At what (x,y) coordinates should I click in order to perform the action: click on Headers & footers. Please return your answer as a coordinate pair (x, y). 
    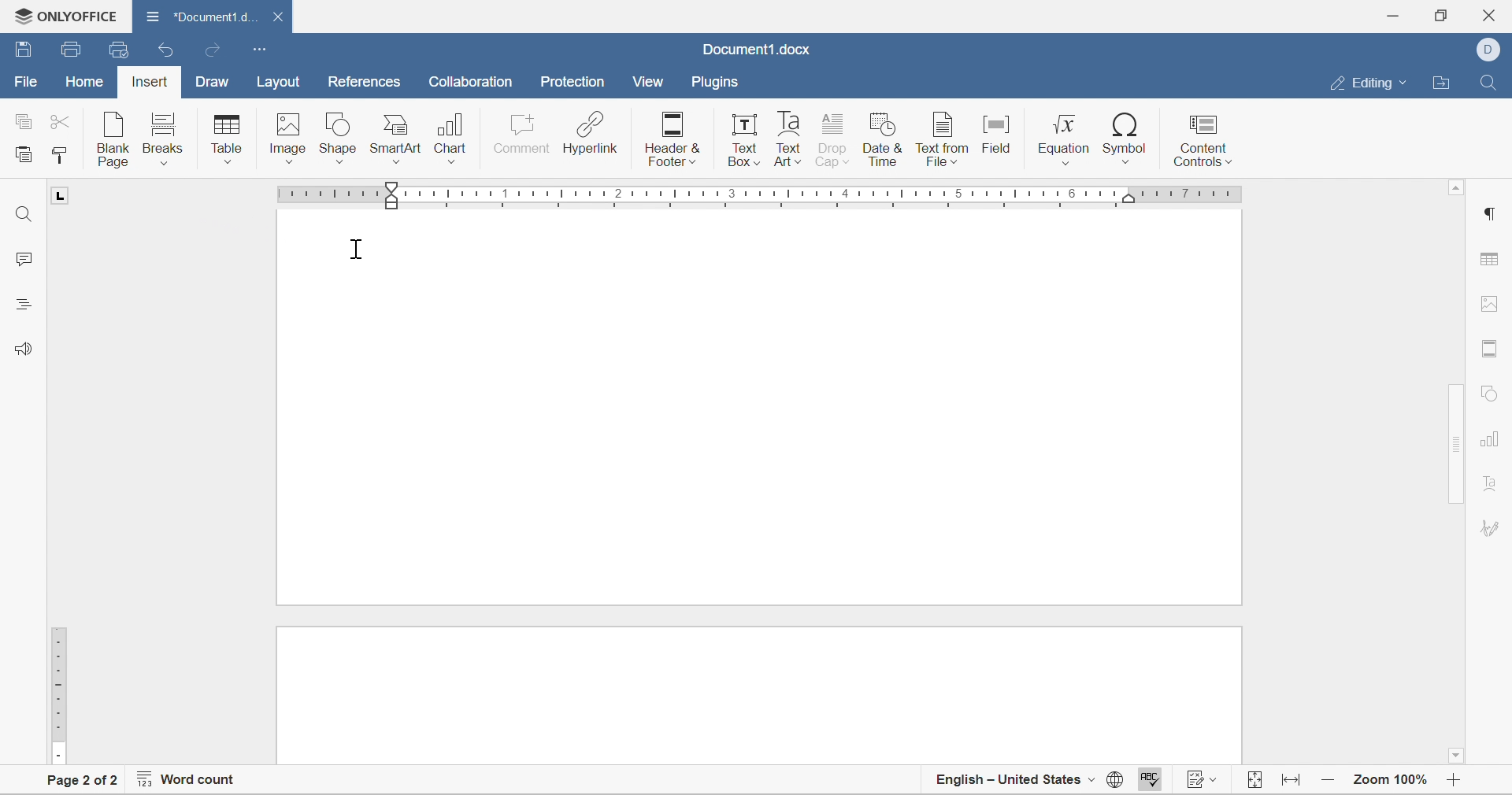
    Looking at the image, I should click on (672, 141).